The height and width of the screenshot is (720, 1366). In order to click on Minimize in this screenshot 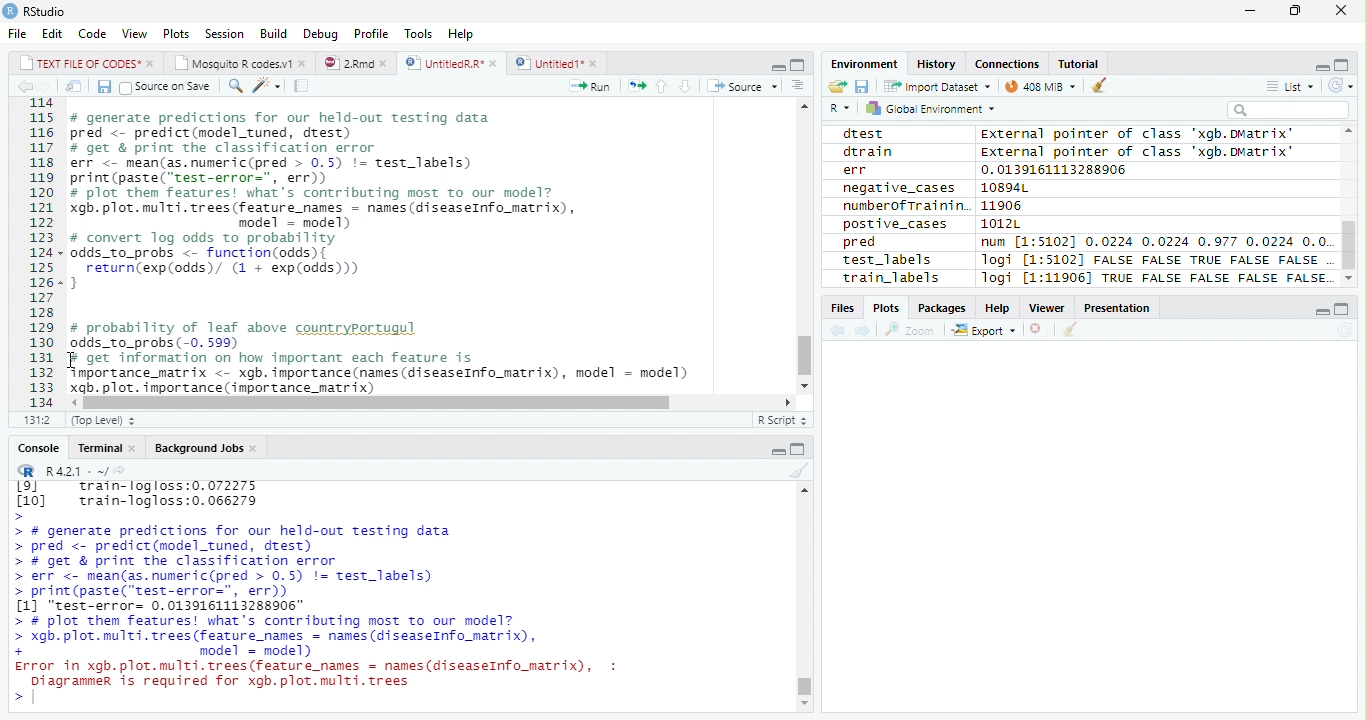, I will do `click(1249, 11)`.